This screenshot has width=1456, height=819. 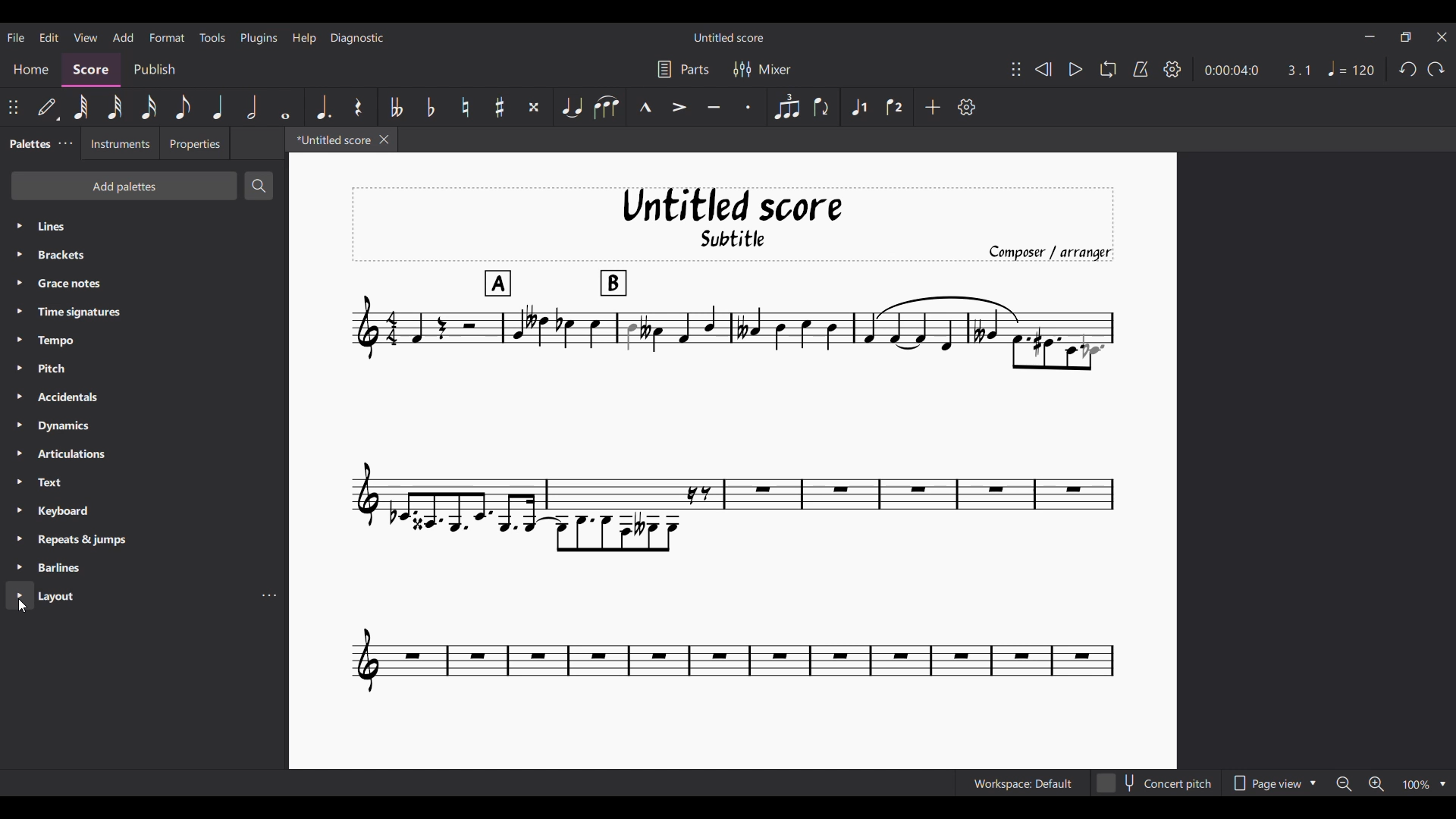 I want to click on Play, so click(x=1075, y=69).